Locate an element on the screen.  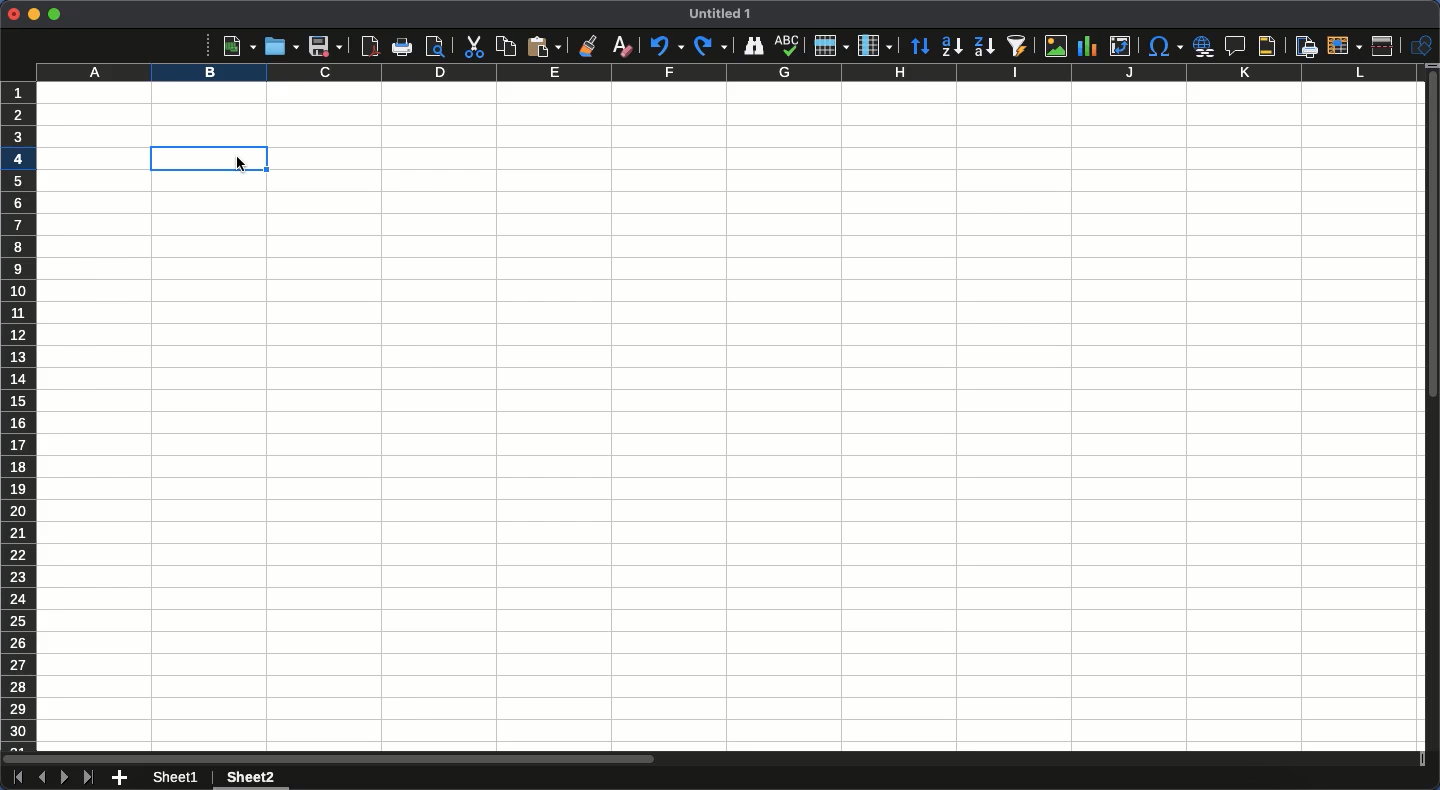
Export as PDF is located at coordinates (369, 46).